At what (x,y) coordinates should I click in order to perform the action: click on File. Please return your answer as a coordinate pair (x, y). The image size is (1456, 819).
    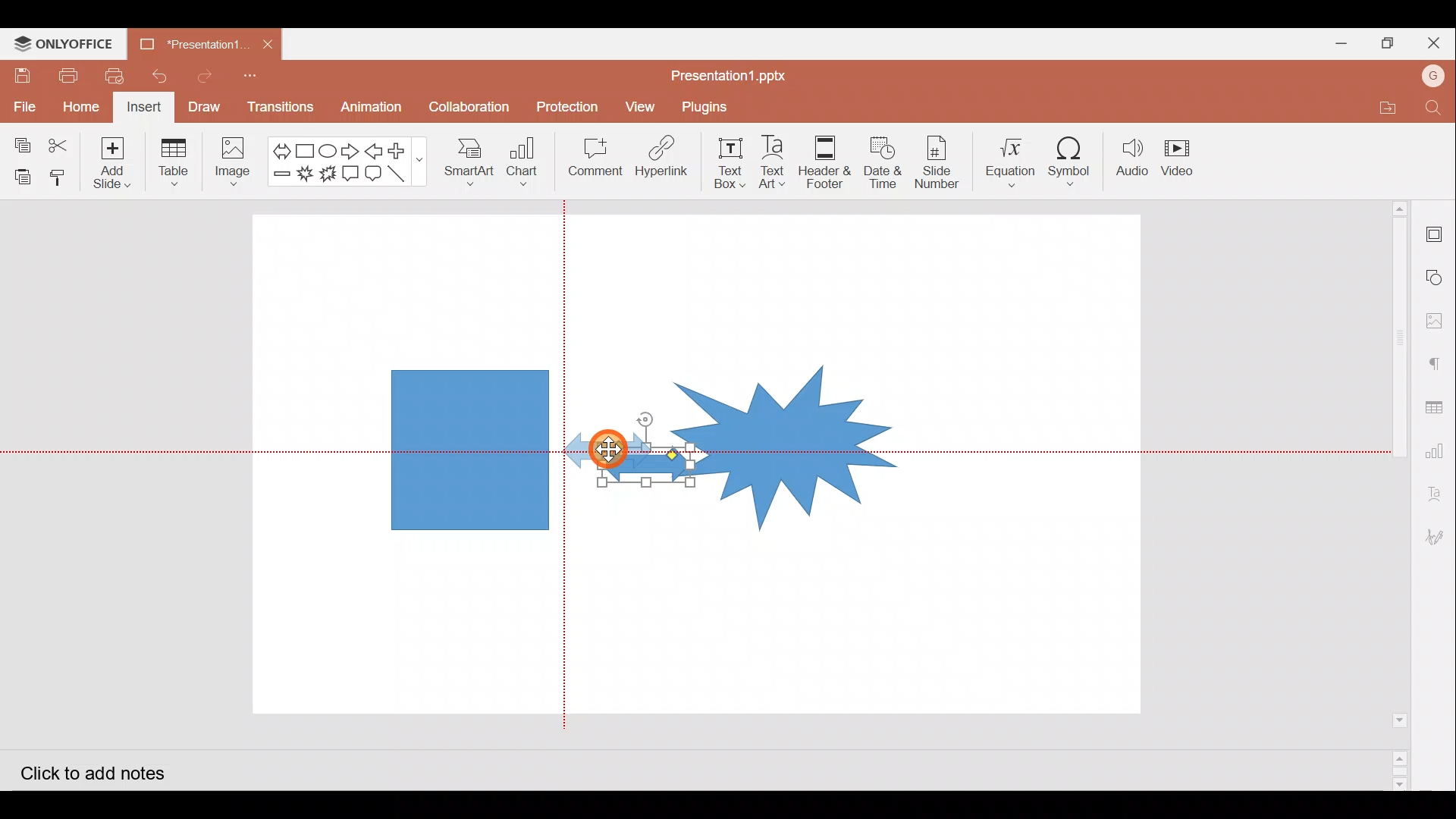
    Looking at the image, I should click on (24, 104).